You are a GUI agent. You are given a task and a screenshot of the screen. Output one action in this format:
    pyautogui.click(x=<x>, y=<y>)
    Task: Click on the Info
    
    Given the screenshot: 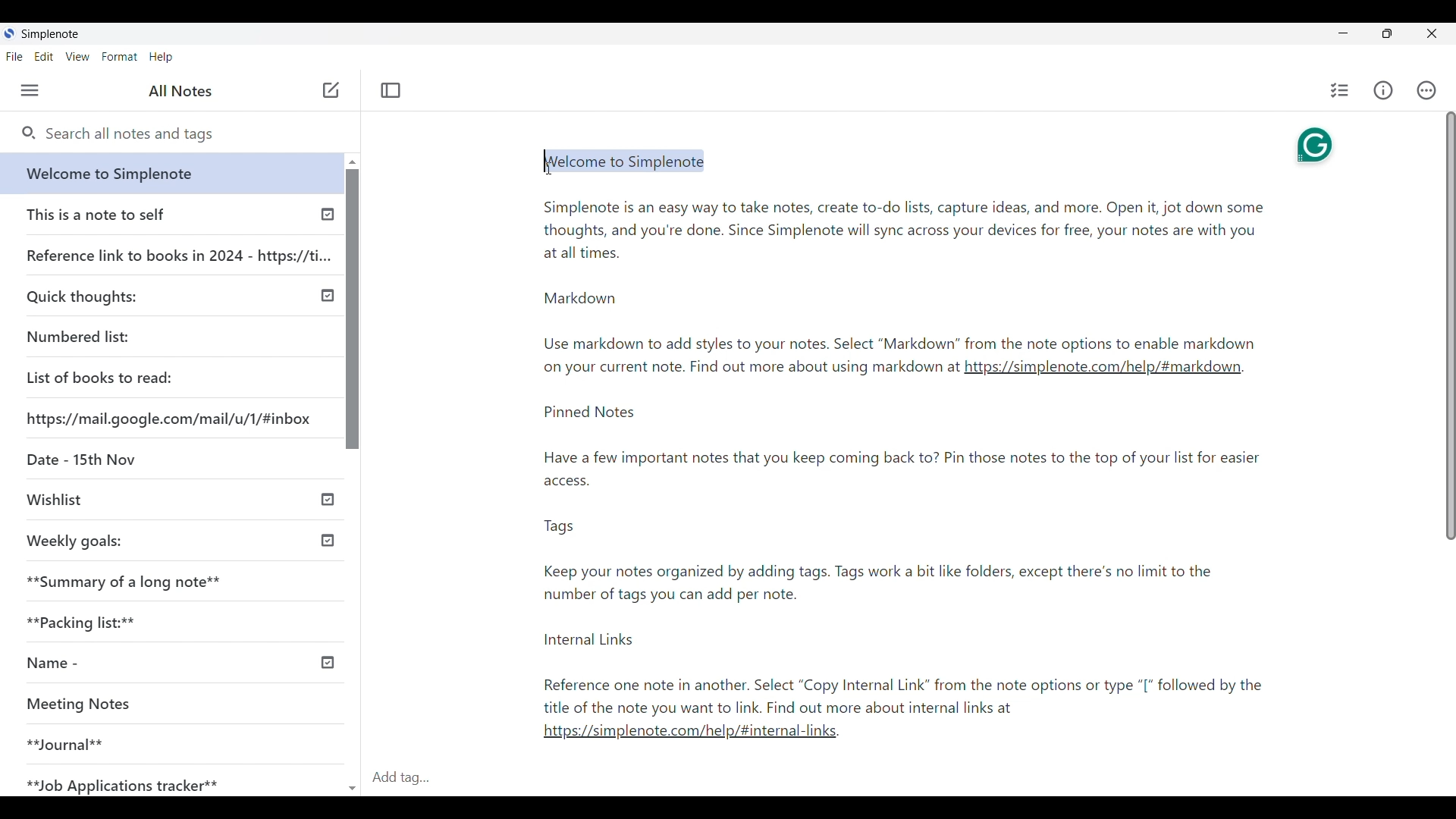 What is the action you would take?
    pyautogui.click(x=1383, y=90)
    